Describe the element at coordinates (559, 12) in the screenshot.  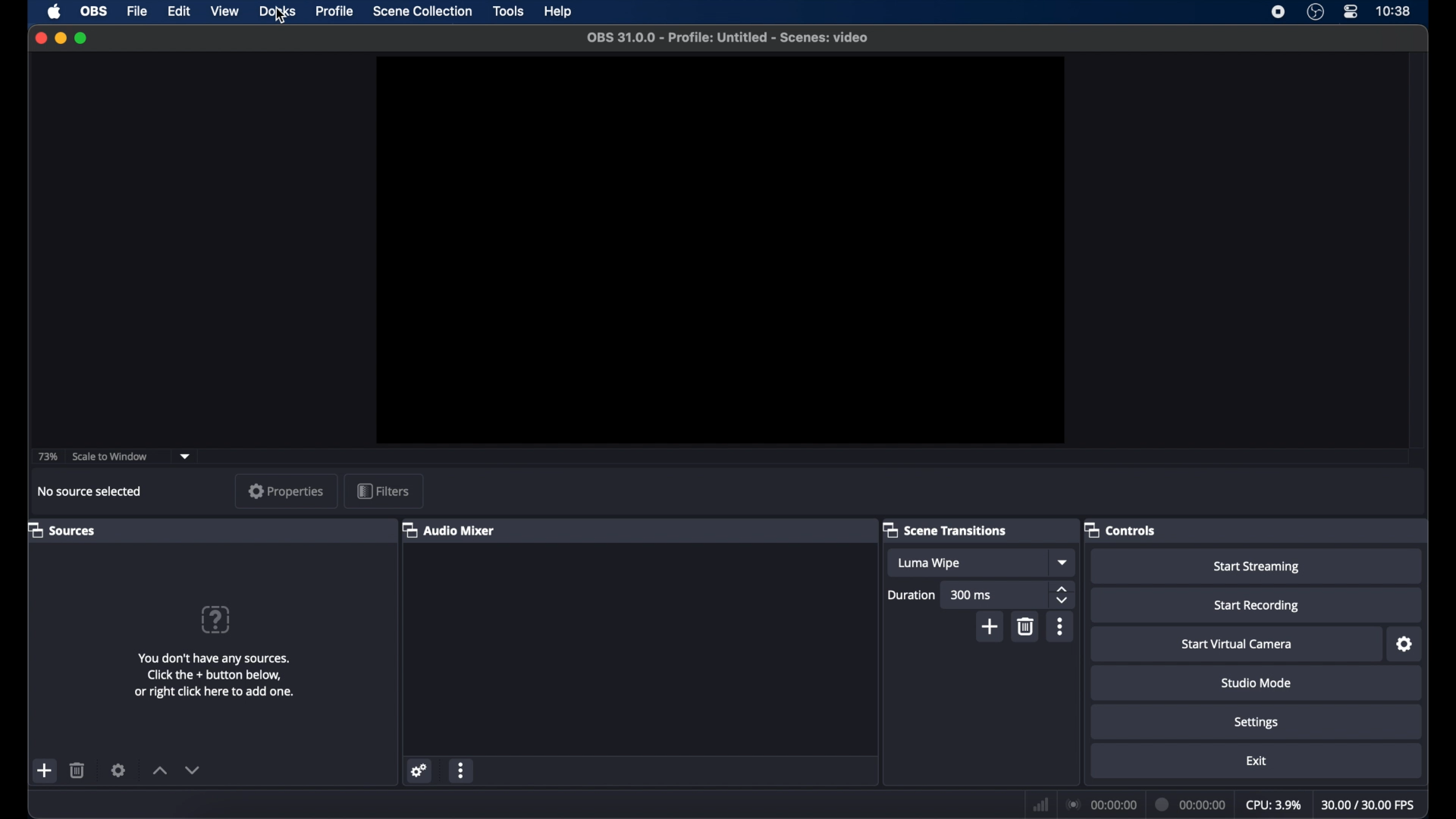
I see `help` at that location.